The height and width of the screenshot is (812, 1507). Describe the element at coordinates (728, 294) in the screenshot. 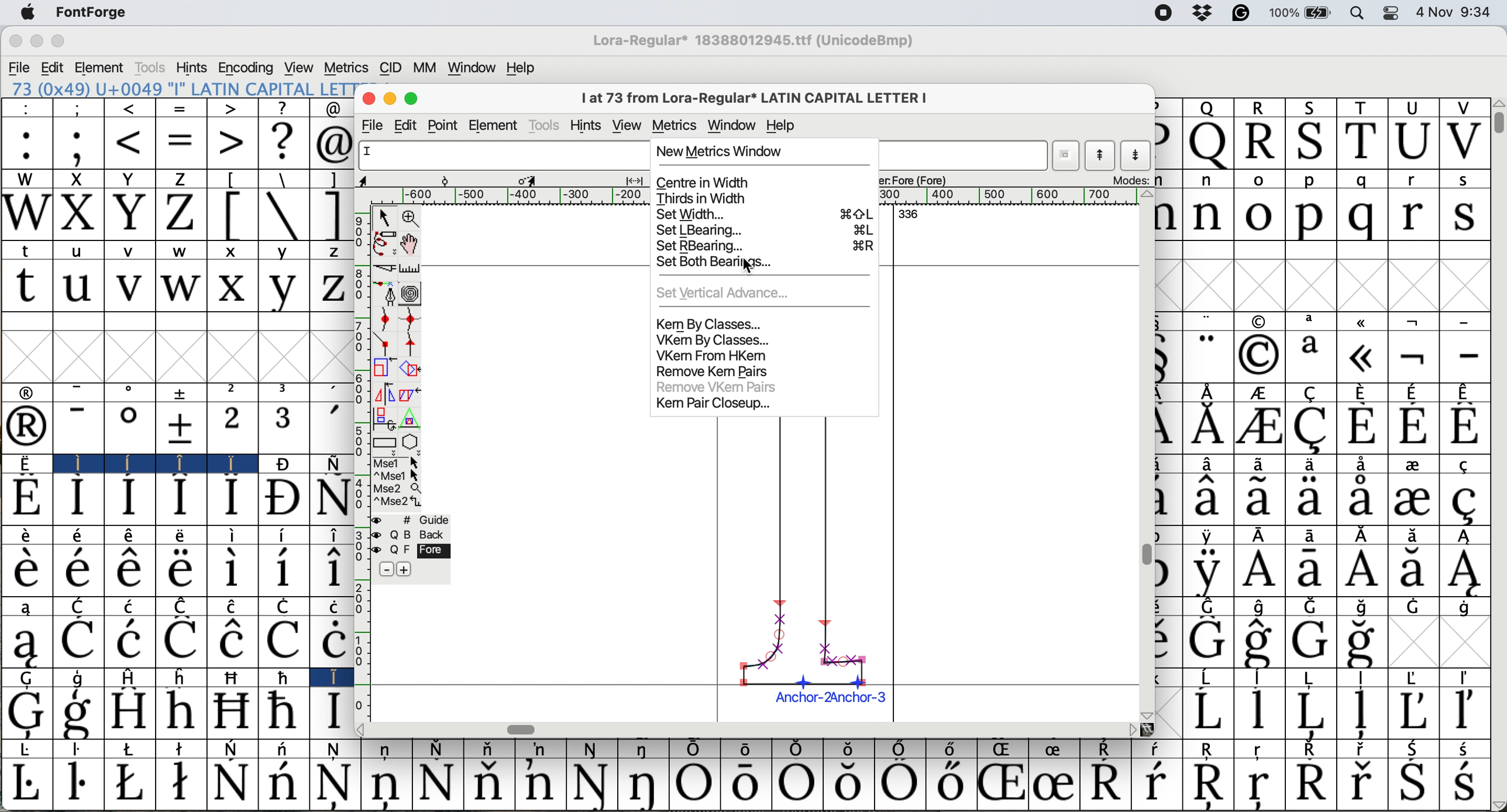

I see `set vertical advance` at that location.